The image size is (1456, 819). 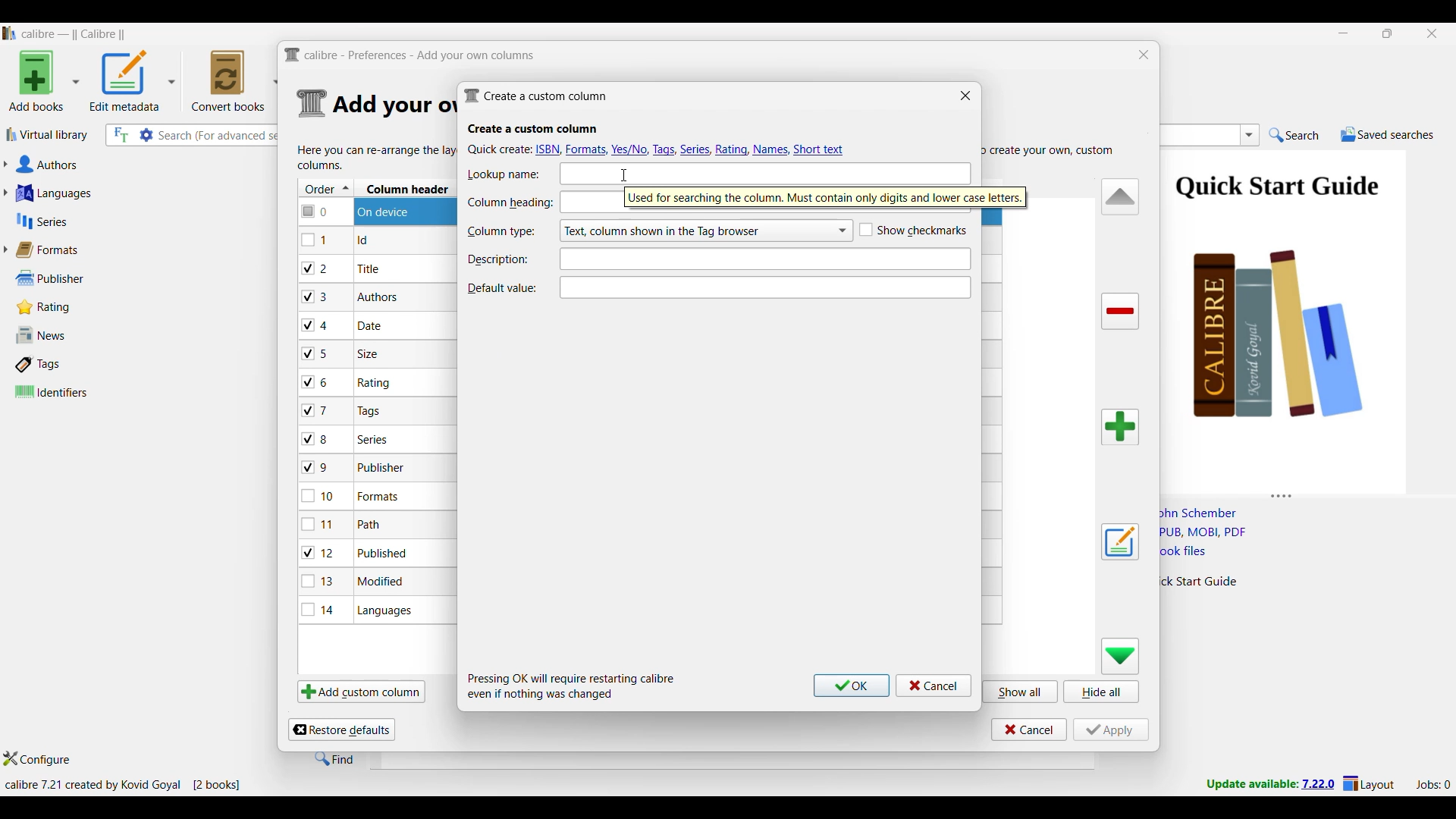 I want to click on checkbox - 0, so click(x=316, y=210).